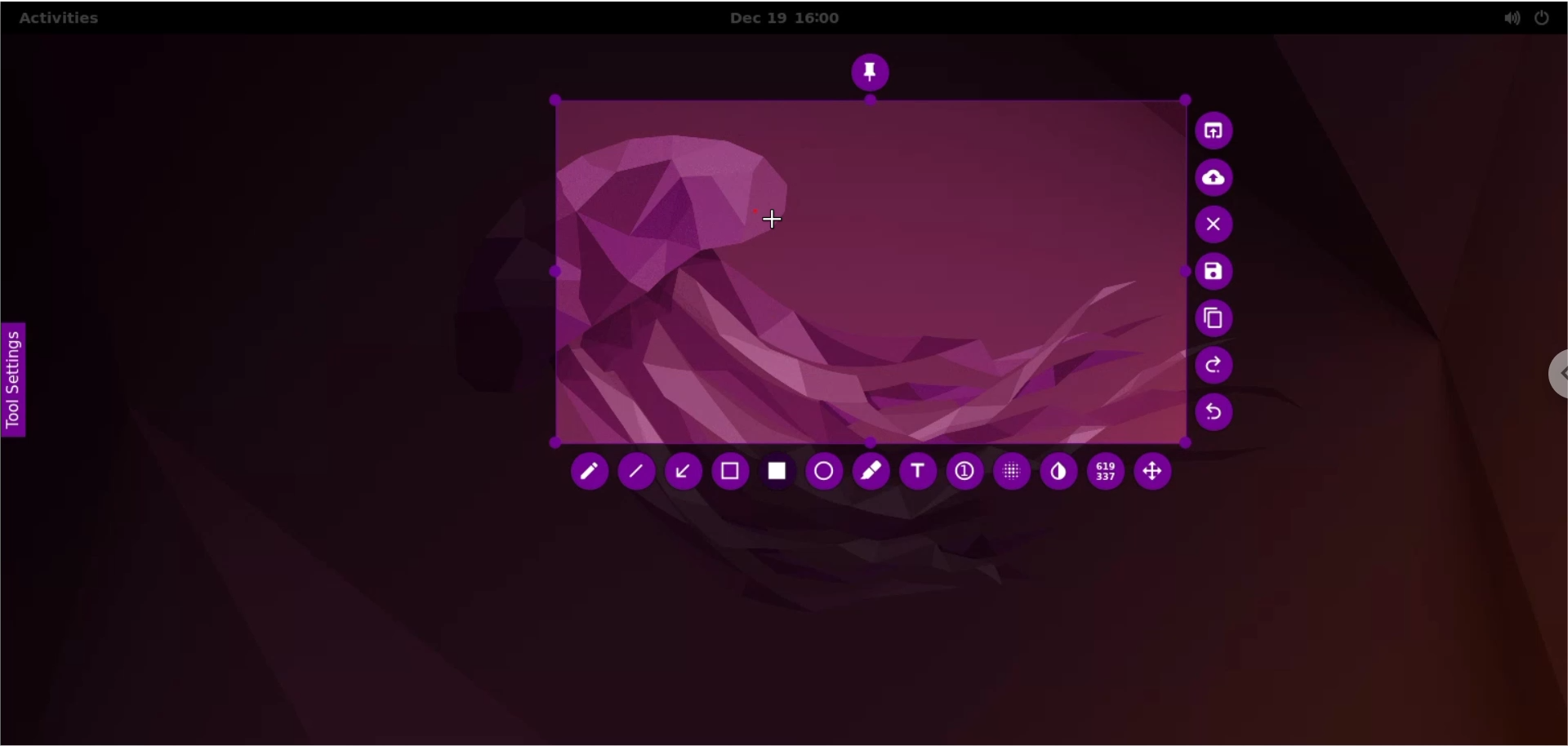 The image size is (1568, 746). I want to click on chrome options, so click(1540, 383).